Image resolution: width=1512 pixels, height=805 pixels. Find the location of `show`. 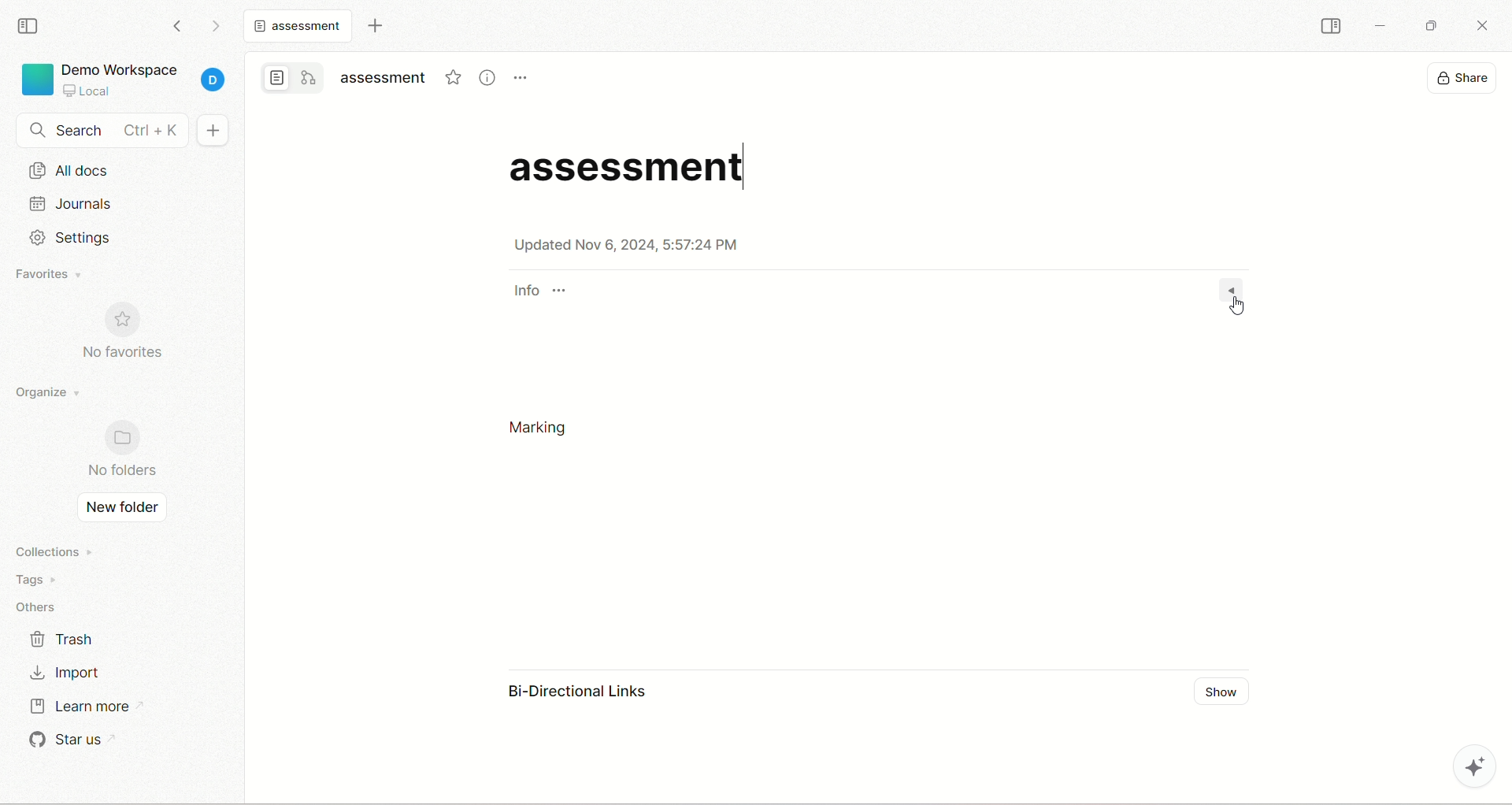

show is located at coordinates (1221, 689).